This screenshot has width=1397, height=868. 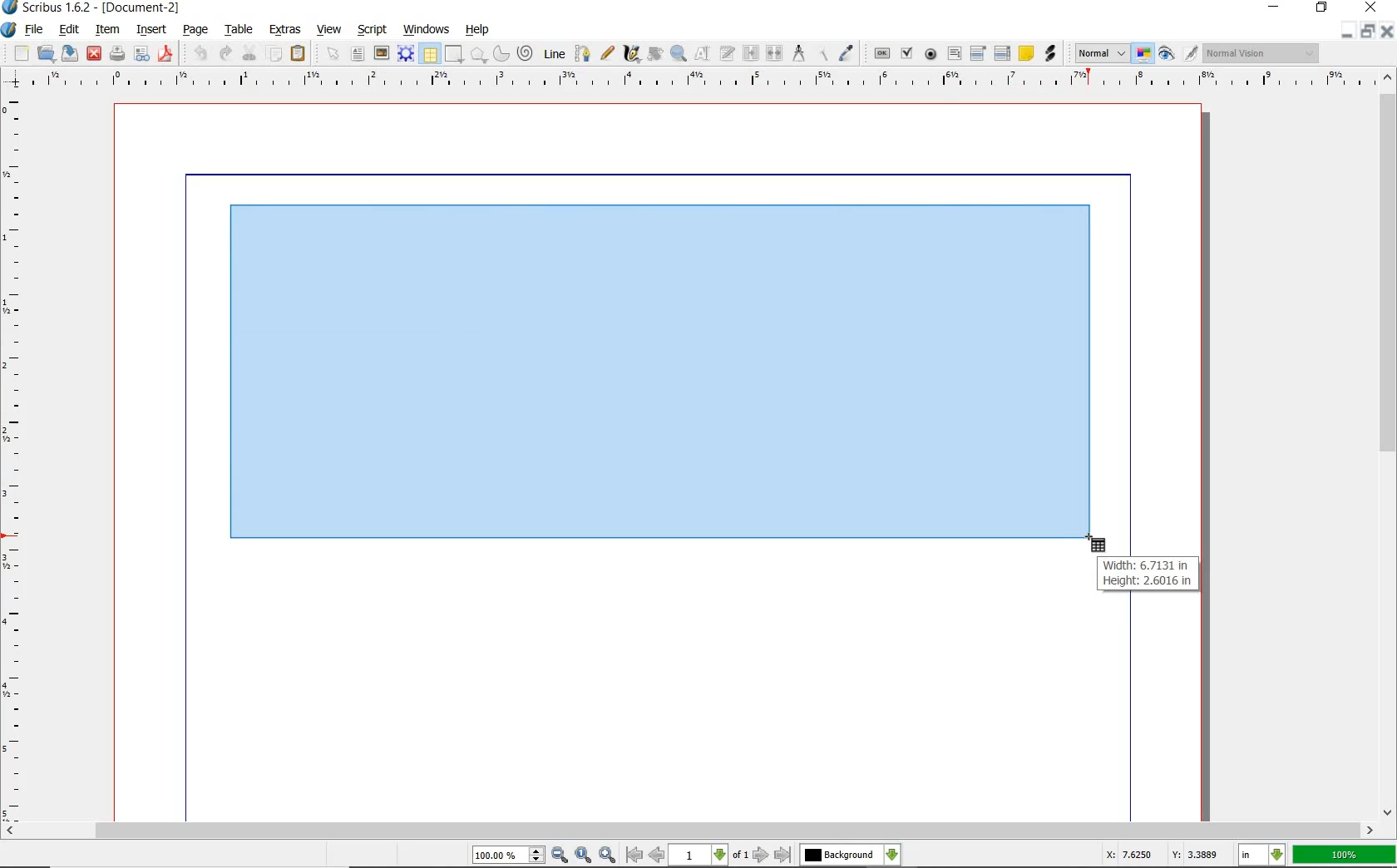 What do you see at coordinates (583, 56) in the screenshot?
I see `bezier curve` at bounding box center [583, 56].